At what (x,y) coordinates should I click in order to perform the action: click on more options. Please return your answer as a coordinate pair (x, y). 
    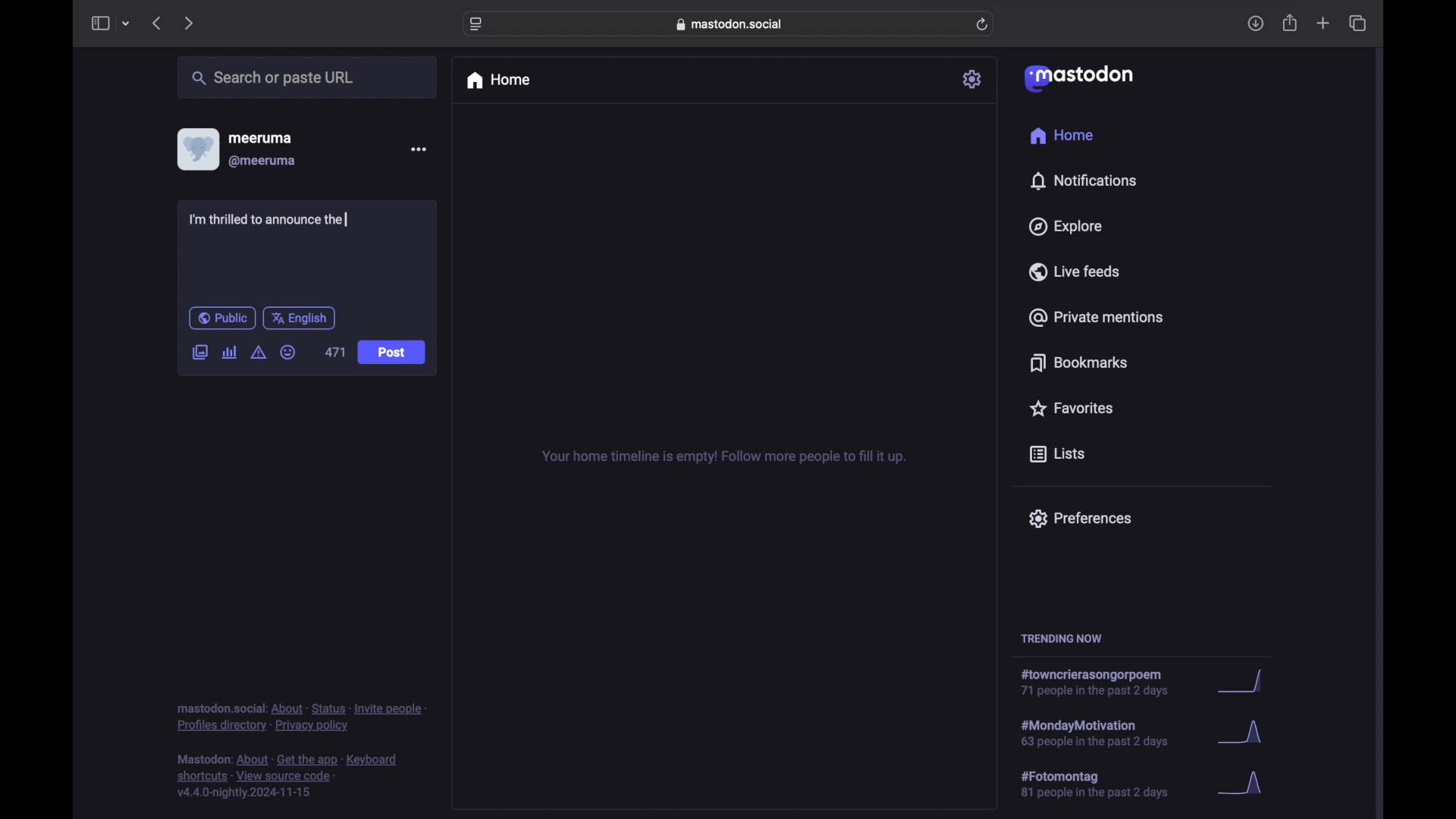
    Looking at the image, I should click on (418, 149).